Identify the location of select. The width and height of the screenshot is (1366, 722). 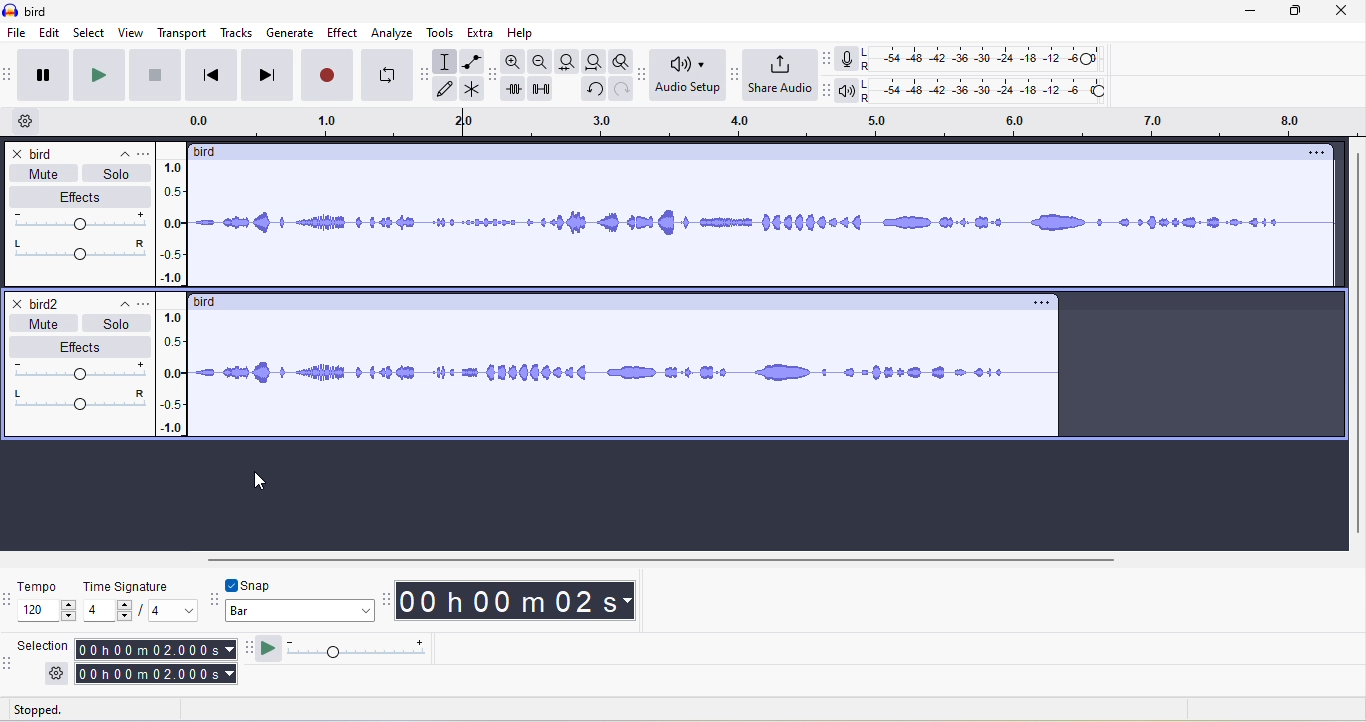
(89, 34).